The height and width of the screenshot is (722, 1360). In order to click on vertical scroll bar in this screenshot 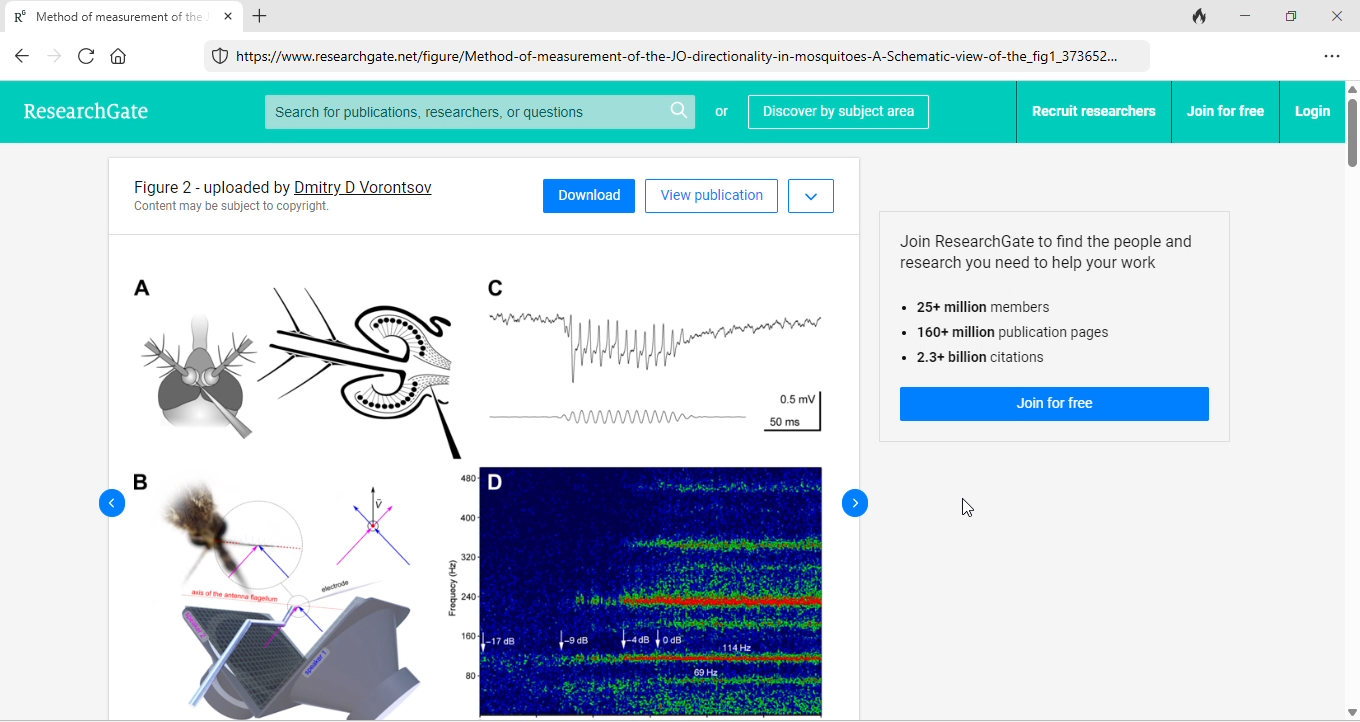, I will do `click(1352, 135)`.